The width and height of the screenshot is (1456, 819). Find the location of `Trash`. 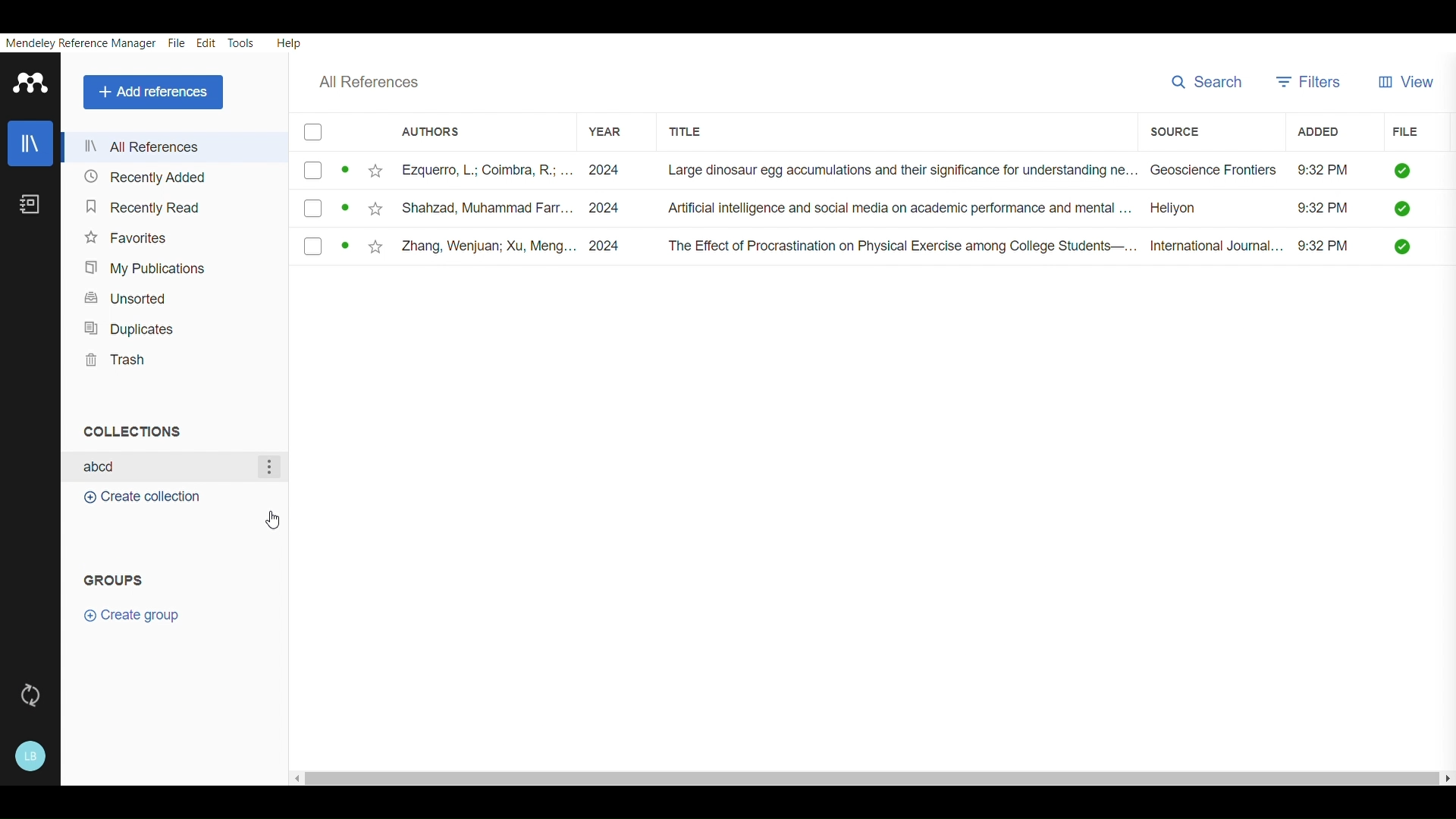

Trash is located at coordinates (117, 357).